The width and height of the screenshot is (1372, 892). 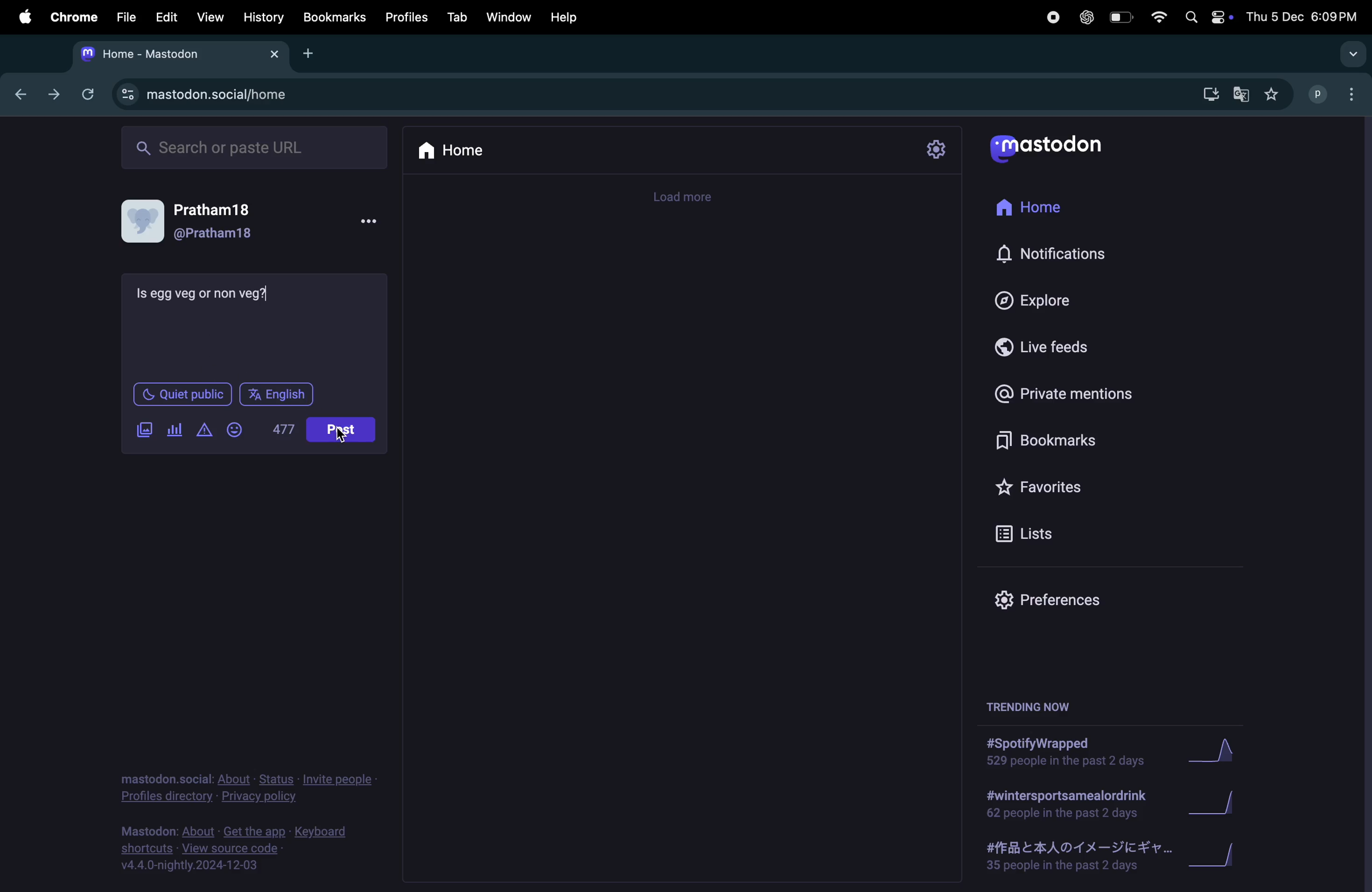 I want to click on download mastodon, so click(x=1208, y=94).